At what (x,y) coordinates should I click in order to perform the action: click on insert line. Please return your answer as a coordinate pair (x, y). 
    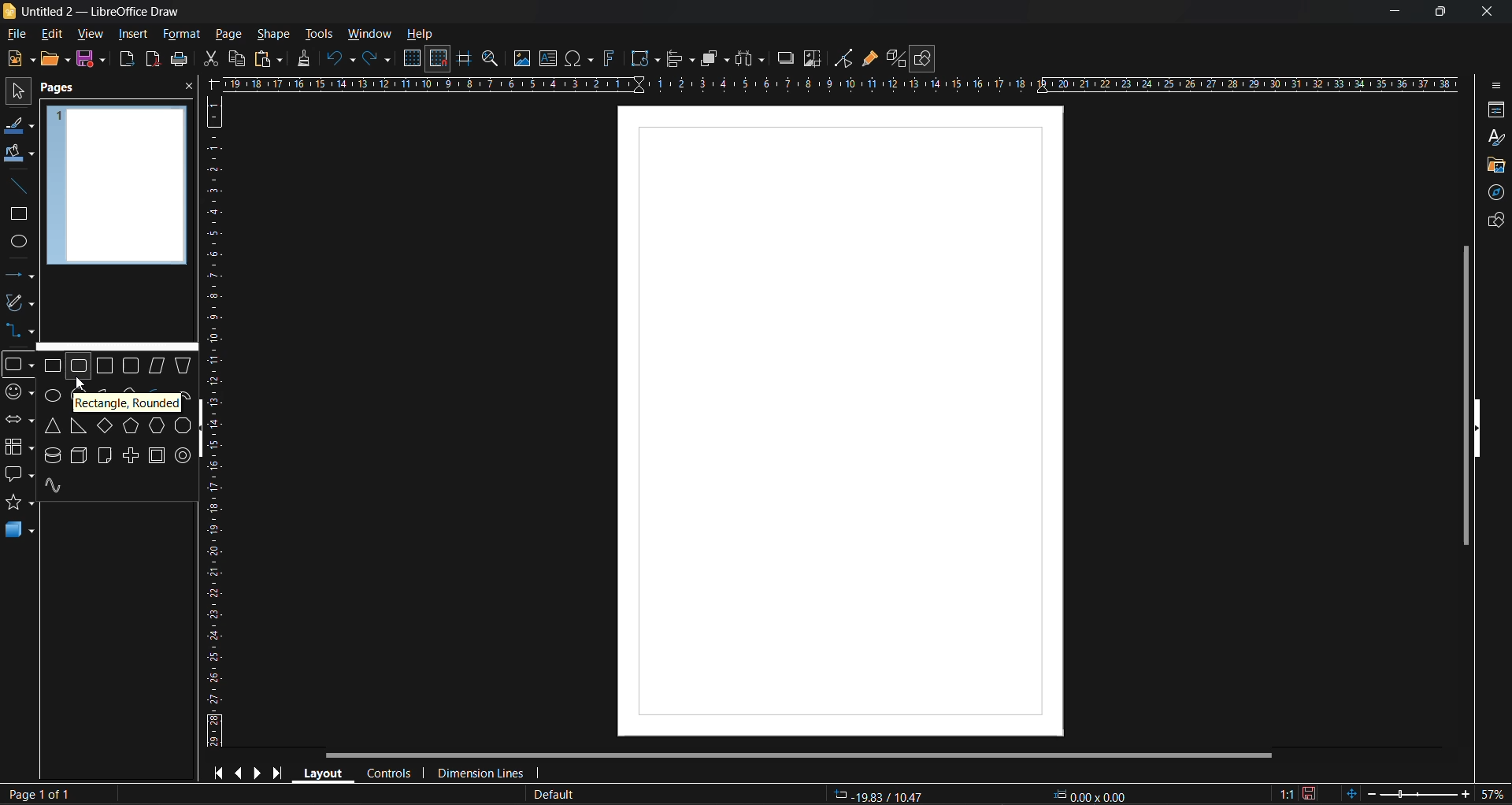
    Looking at the image, I should click on (24, 188).